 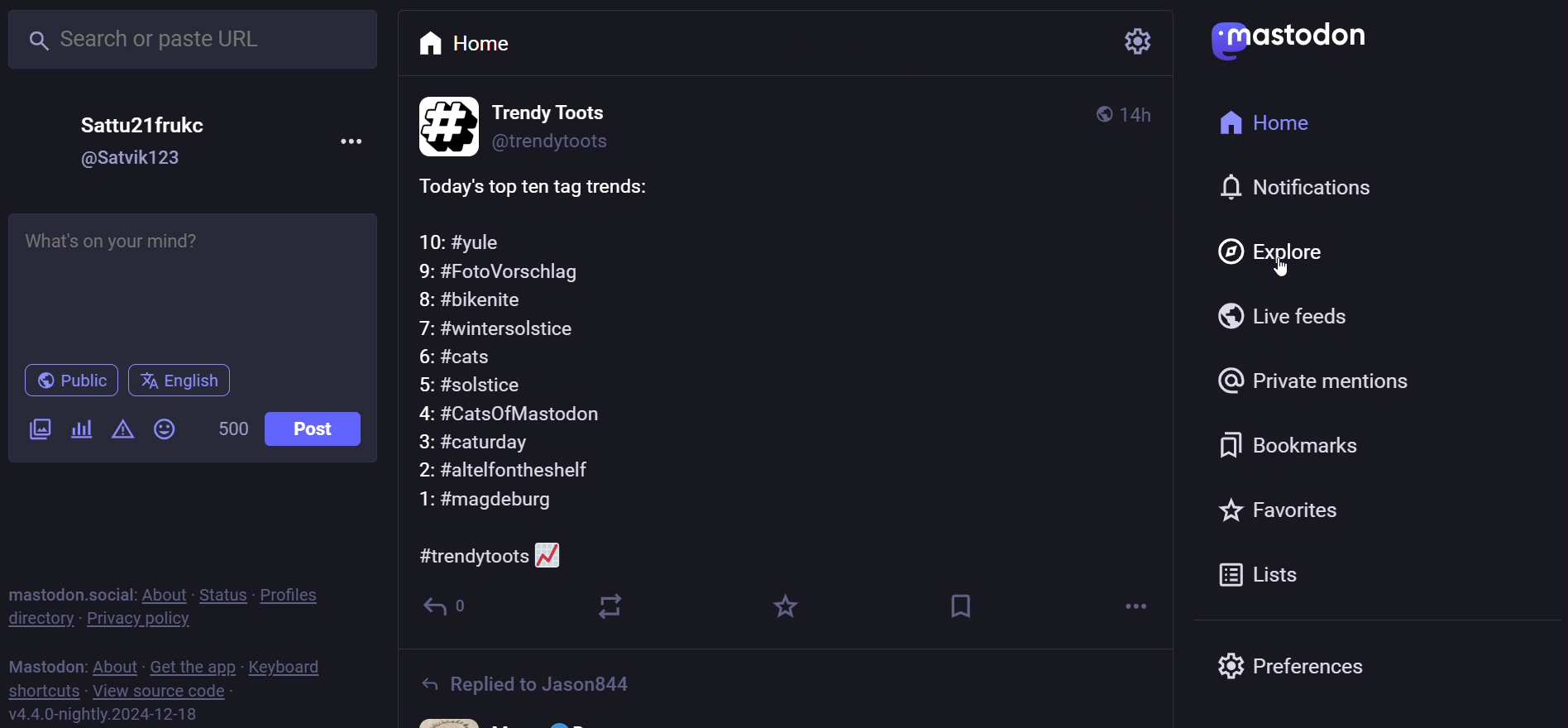 What do you see at coordinates (69, 381) in the screenshot?
I see `public` at bounding box center [69, 381].